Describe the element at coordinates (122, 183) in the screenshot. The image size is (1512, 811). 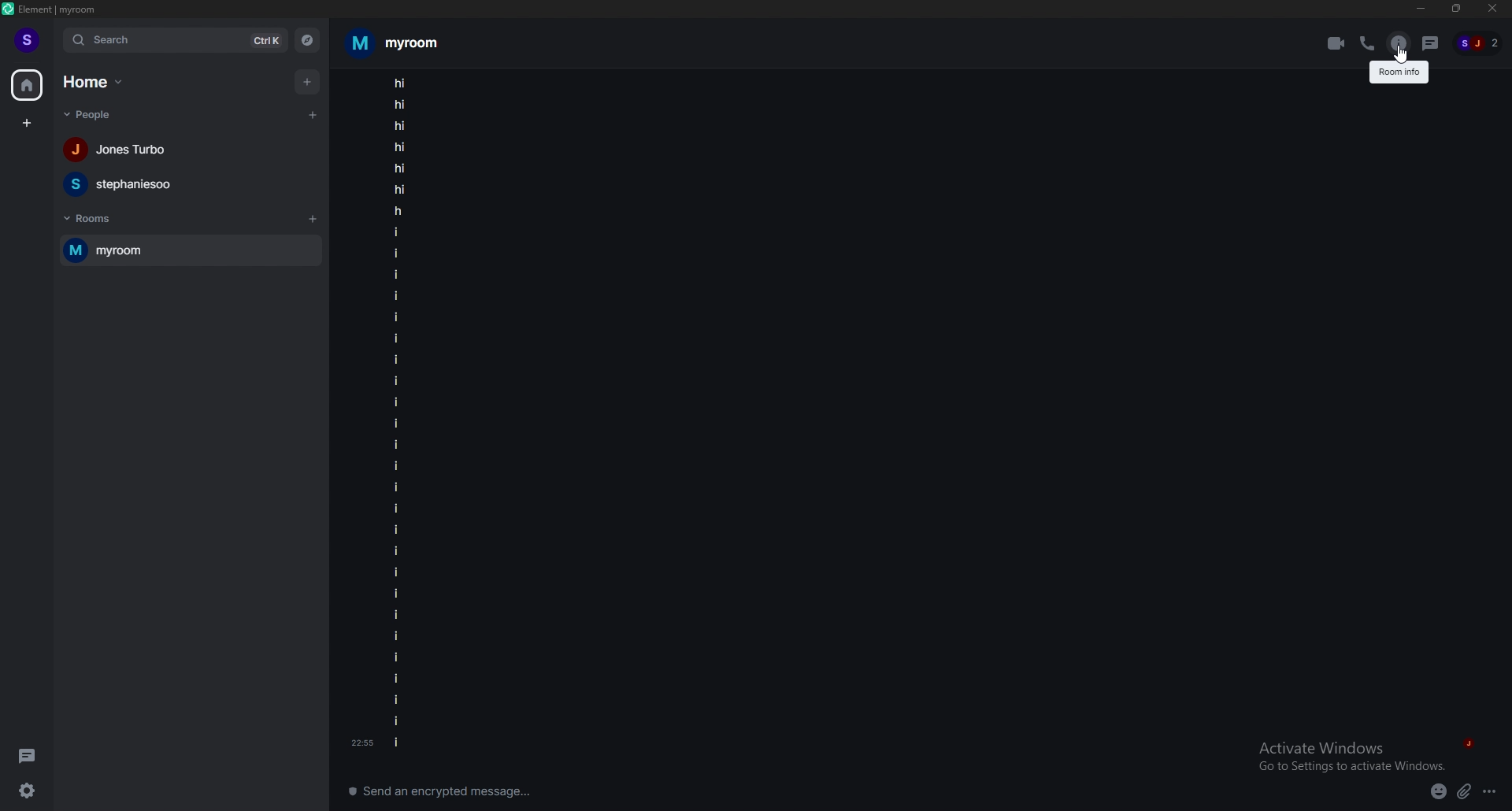
I see `people` at that location.